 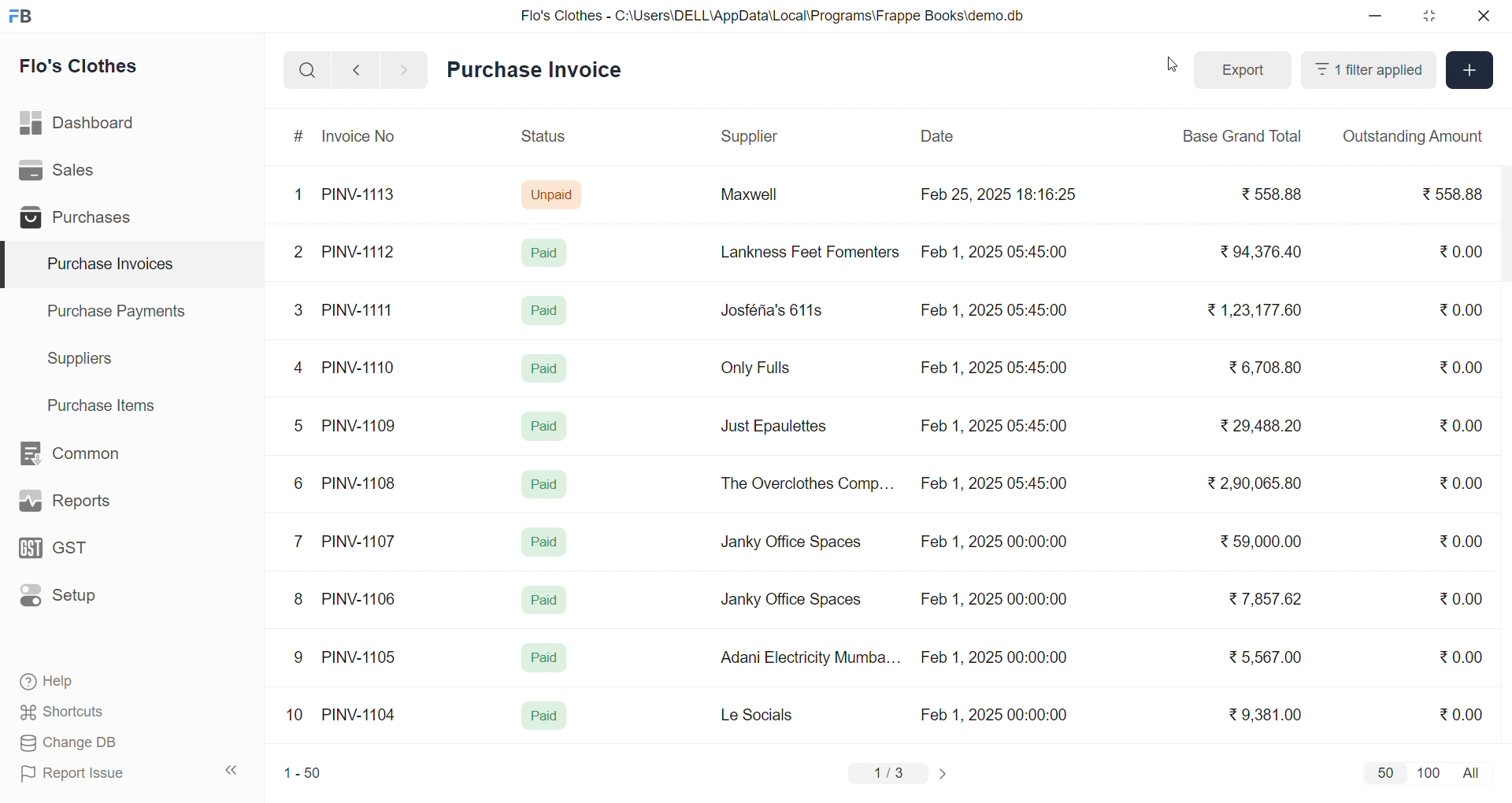 I want to click on Adani Electricity Mumba..., so click(x=812, y=658).